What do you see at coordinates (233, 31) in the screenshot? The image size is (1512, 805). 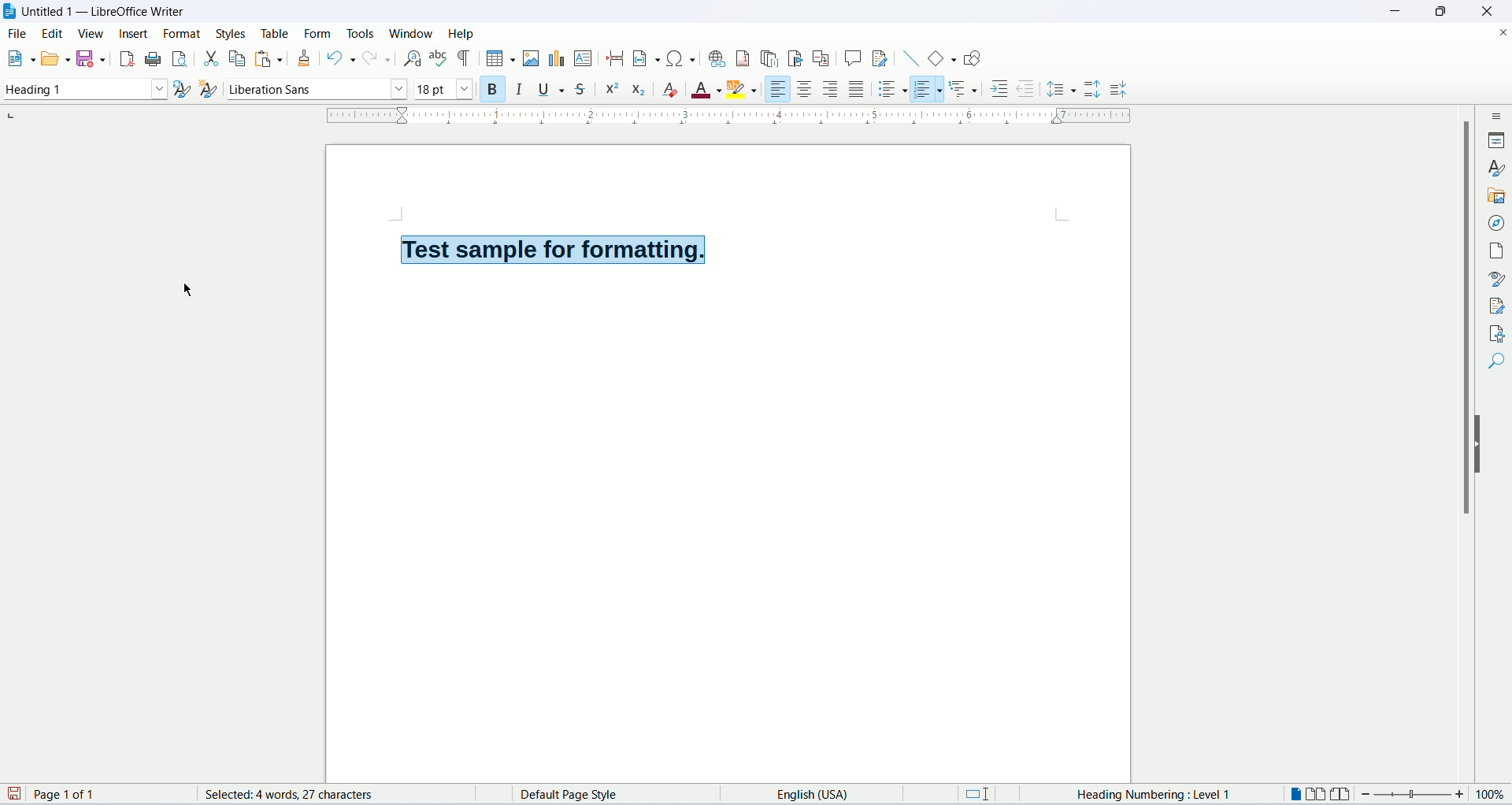 I see `styles` at bounding box center [233, 31].